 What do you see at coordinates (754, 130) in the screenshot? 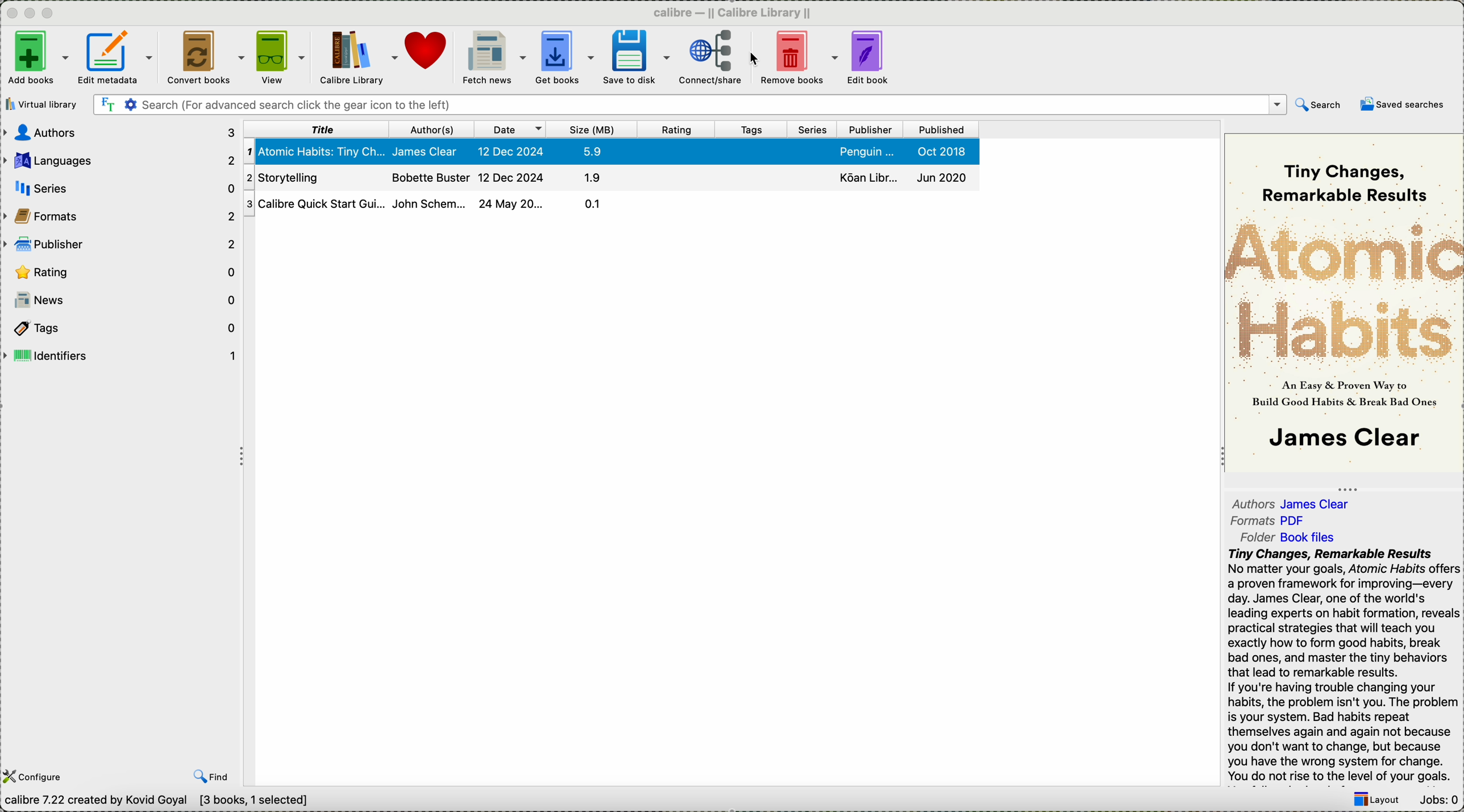
I see `tags` at bounding box center [754, 130].